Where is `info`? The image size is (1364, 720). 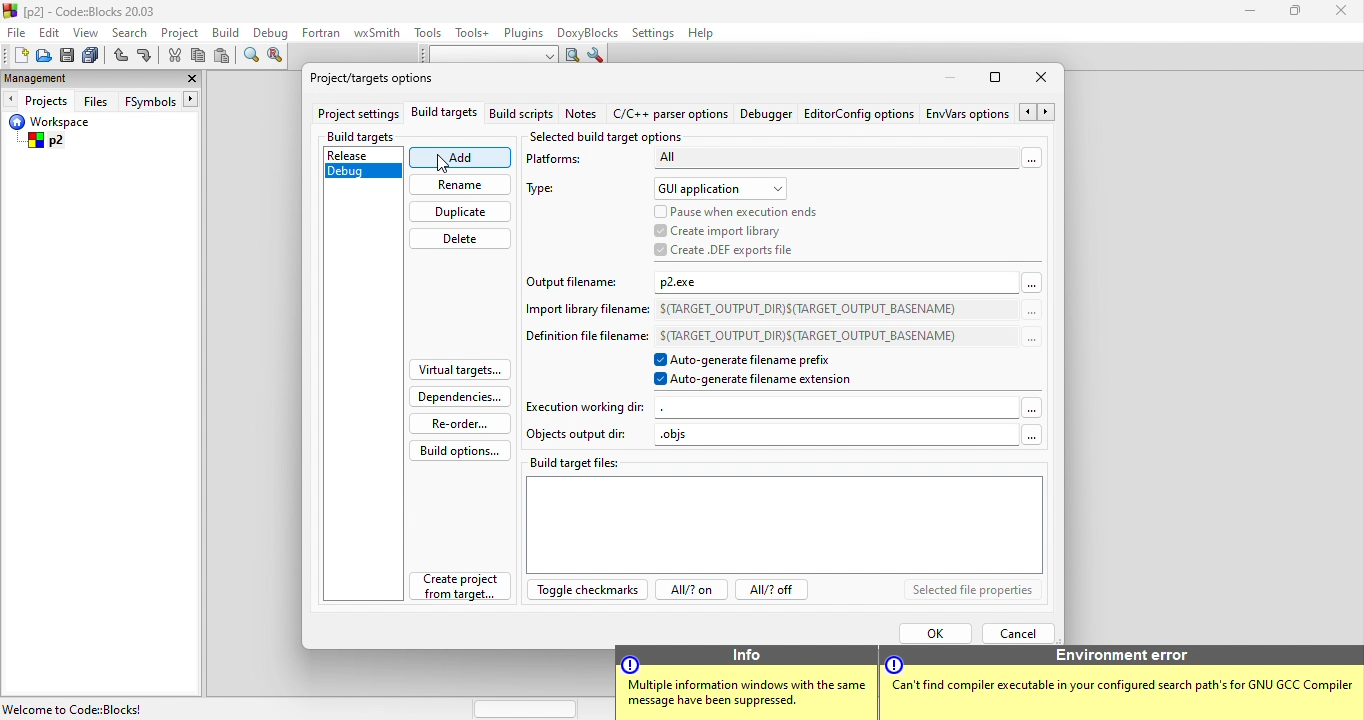 info is located at coordinates (746, 682).